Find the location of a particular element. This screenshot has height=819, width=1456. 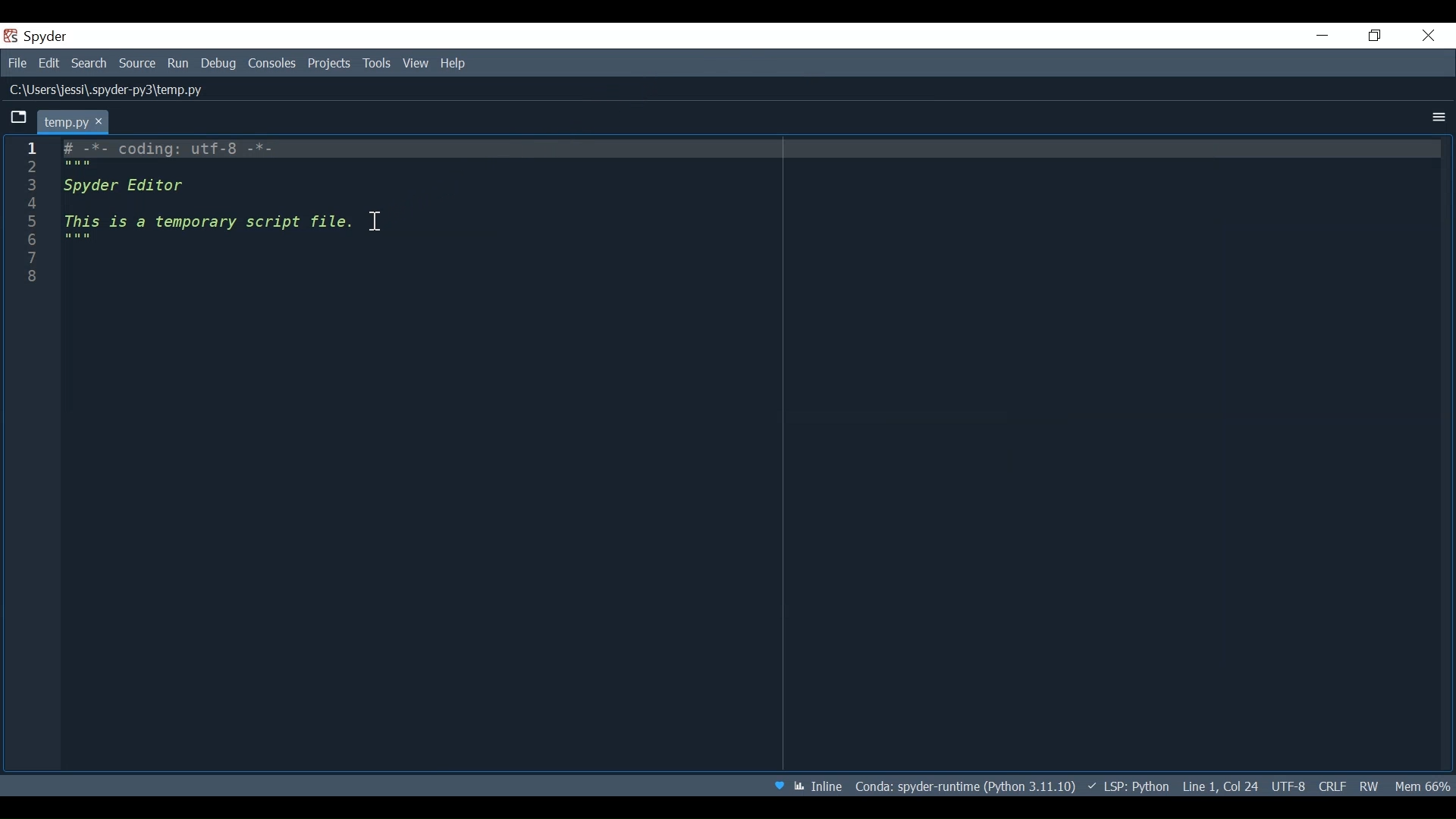

Tools is located at coordinates (375, 64).